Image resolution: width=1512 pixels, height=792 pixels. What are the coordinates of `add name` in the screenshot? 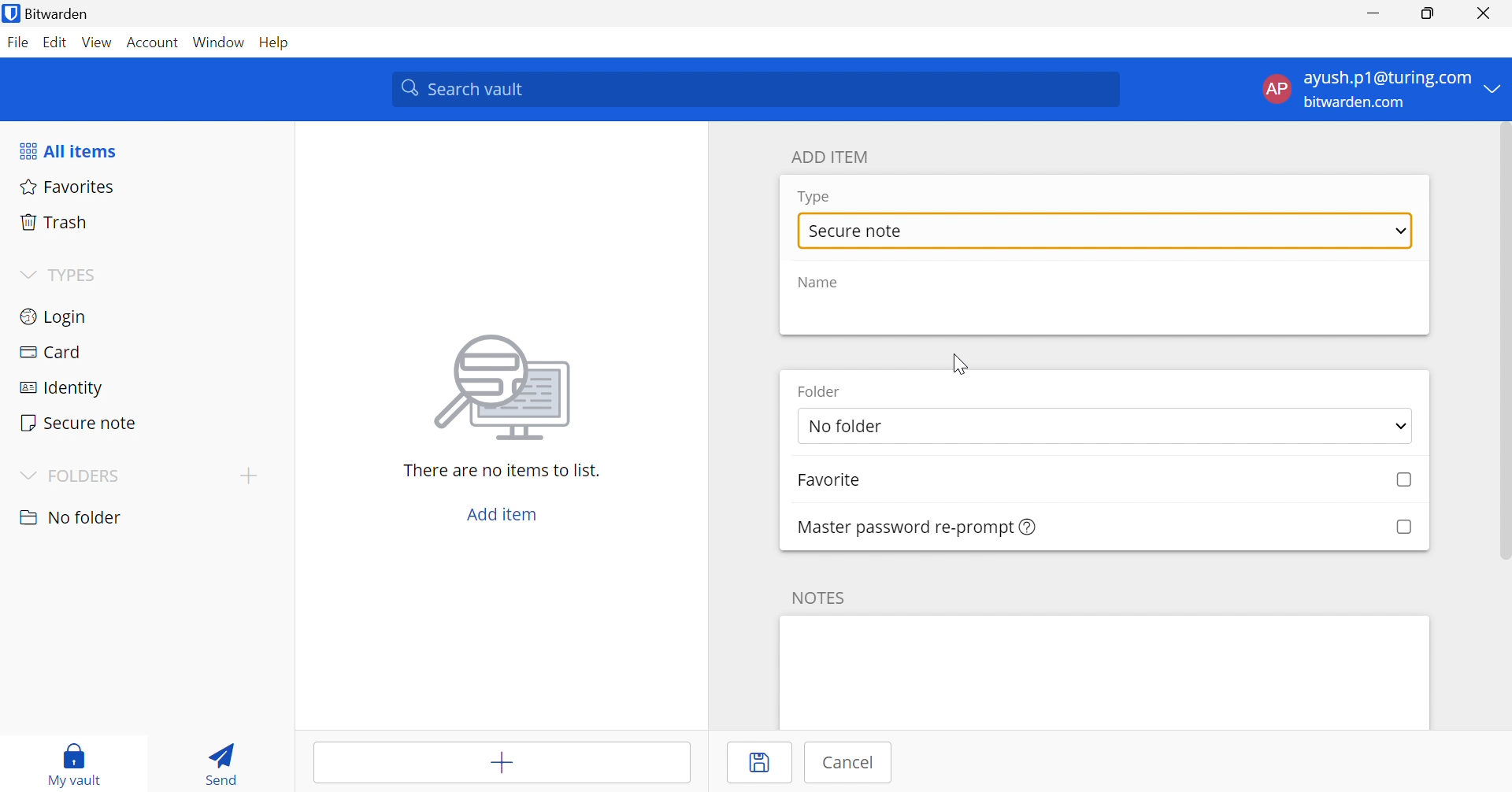 It's located at (1102, 315).